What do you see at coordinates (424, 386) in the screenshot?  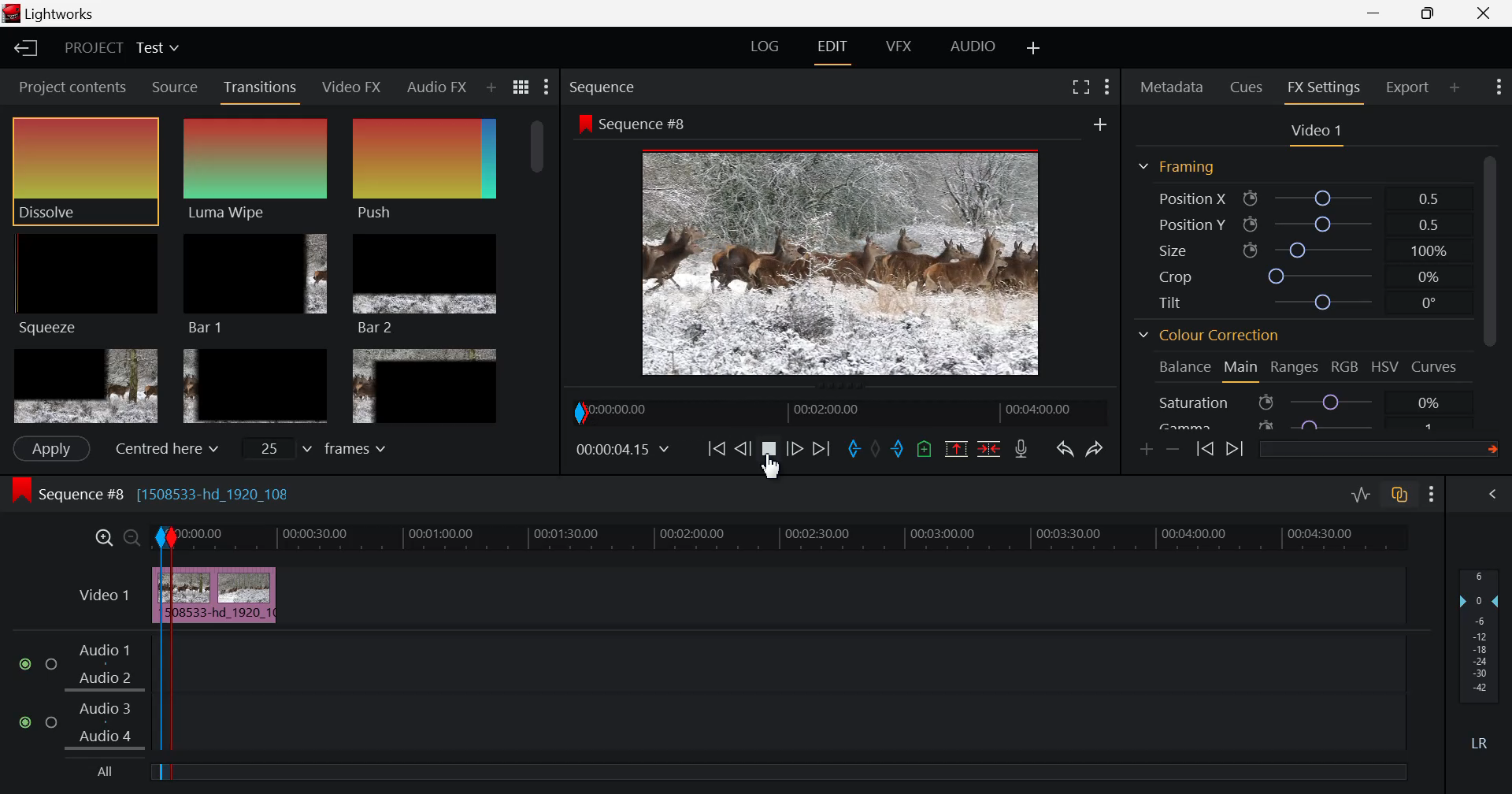 I see `Box 6` at bounding box center [424, 386].